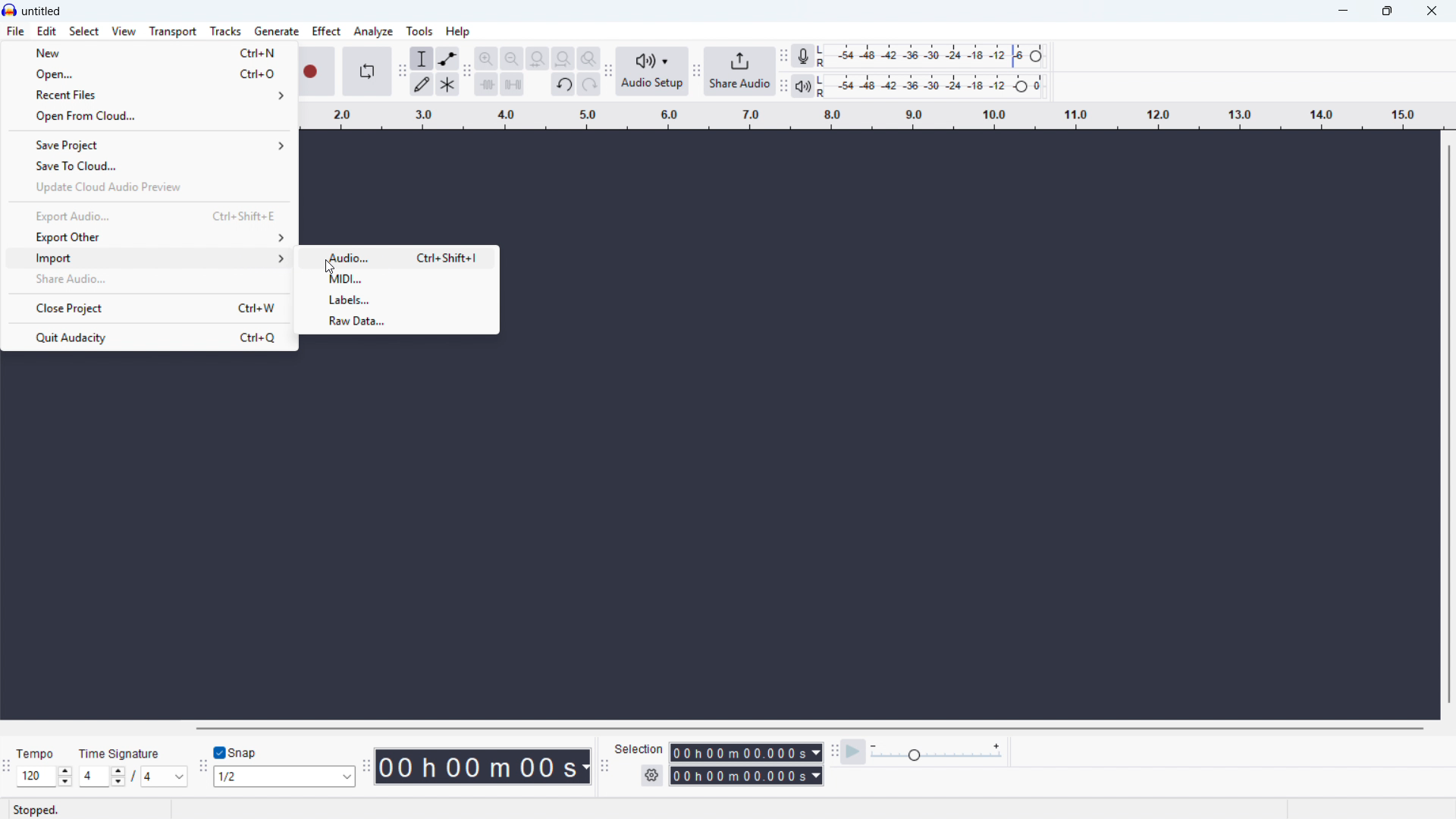 The image size is (1456, 819). I want to click on Toggle snap , so click(236, 752).